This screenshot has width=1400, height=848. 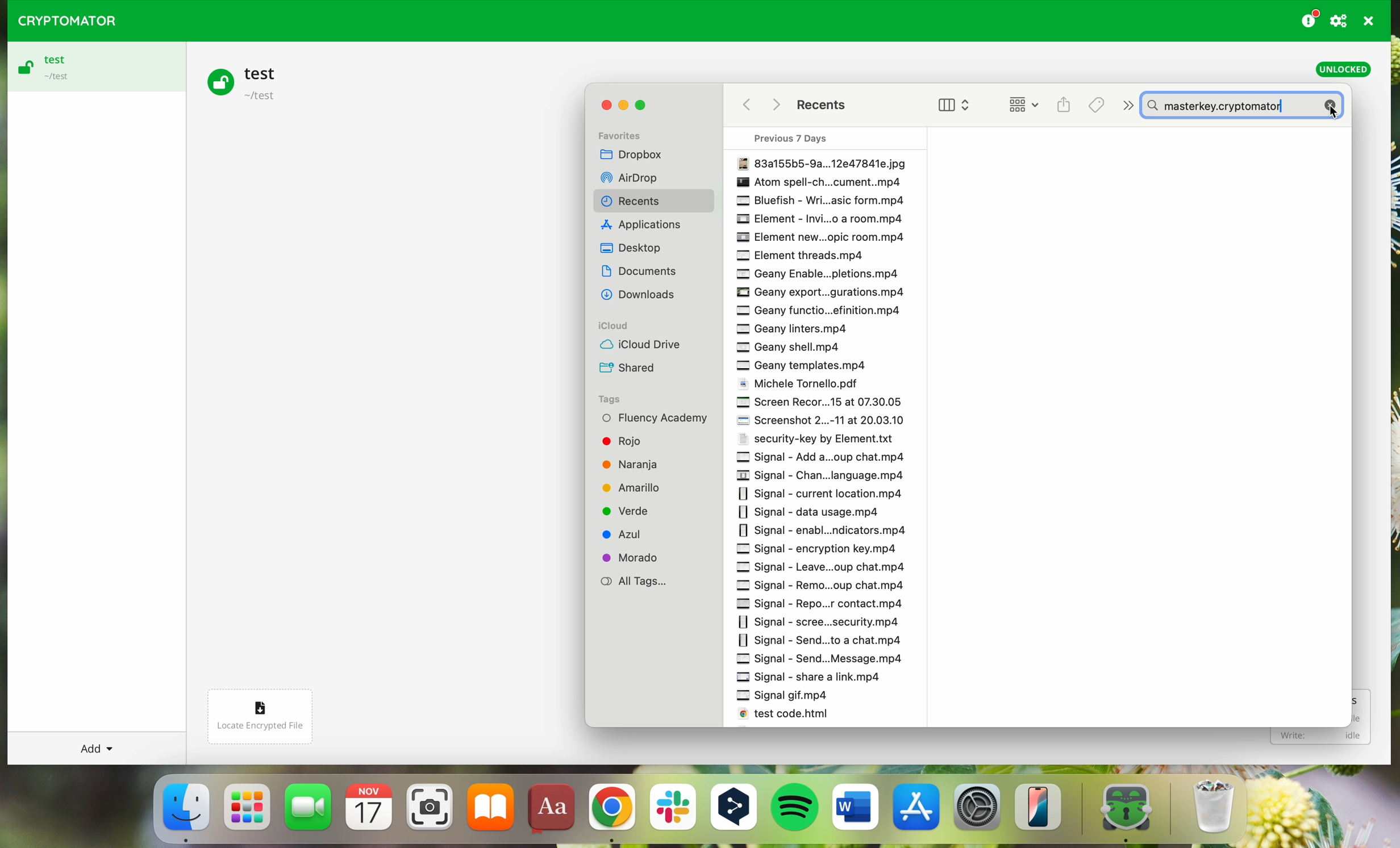 What do you see at coordinates (369, 812) in the screenshot?
I see `calendar` at bounding box center [369, 812].